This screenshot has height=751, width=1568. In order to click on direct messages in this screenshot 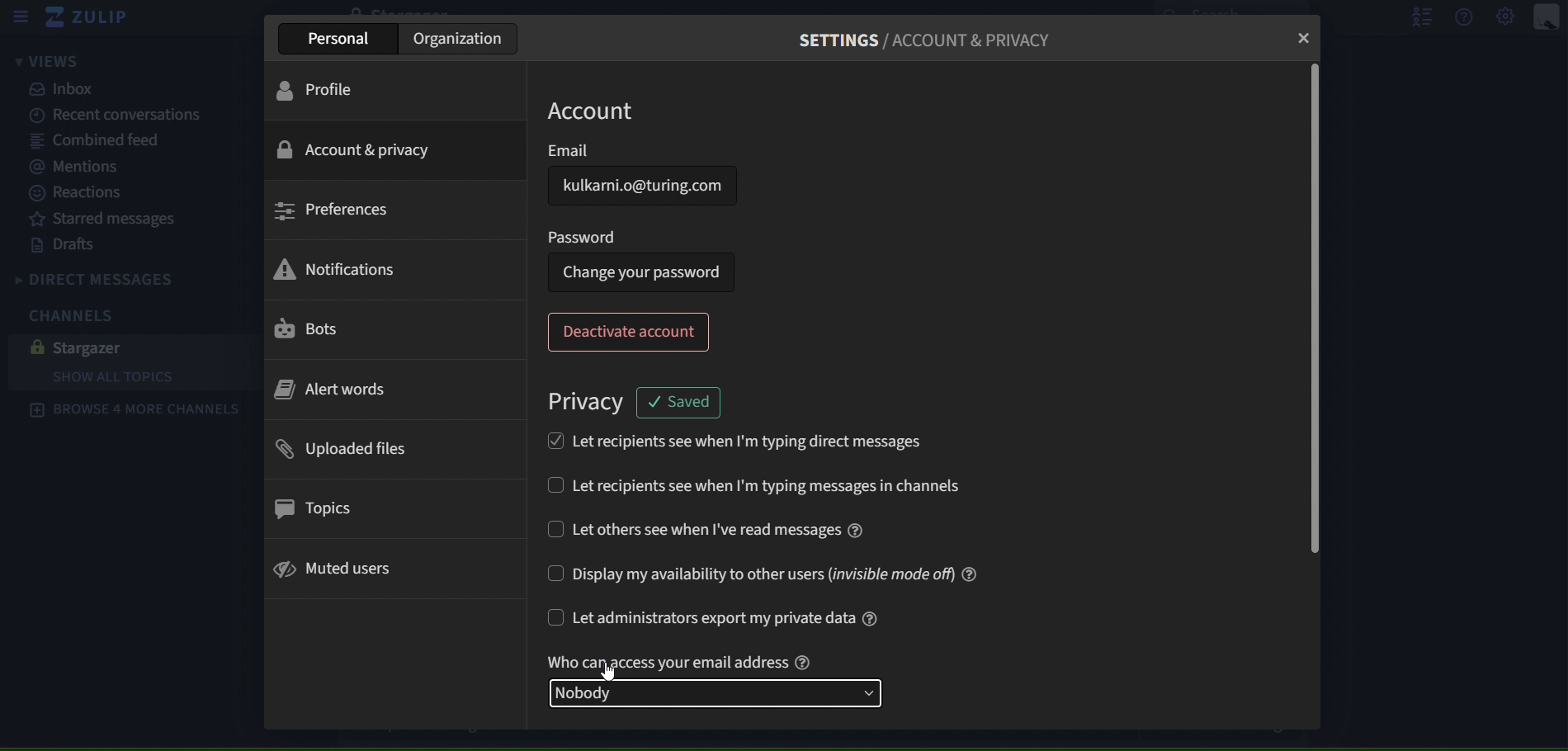, I will do `click(129, 276)`.